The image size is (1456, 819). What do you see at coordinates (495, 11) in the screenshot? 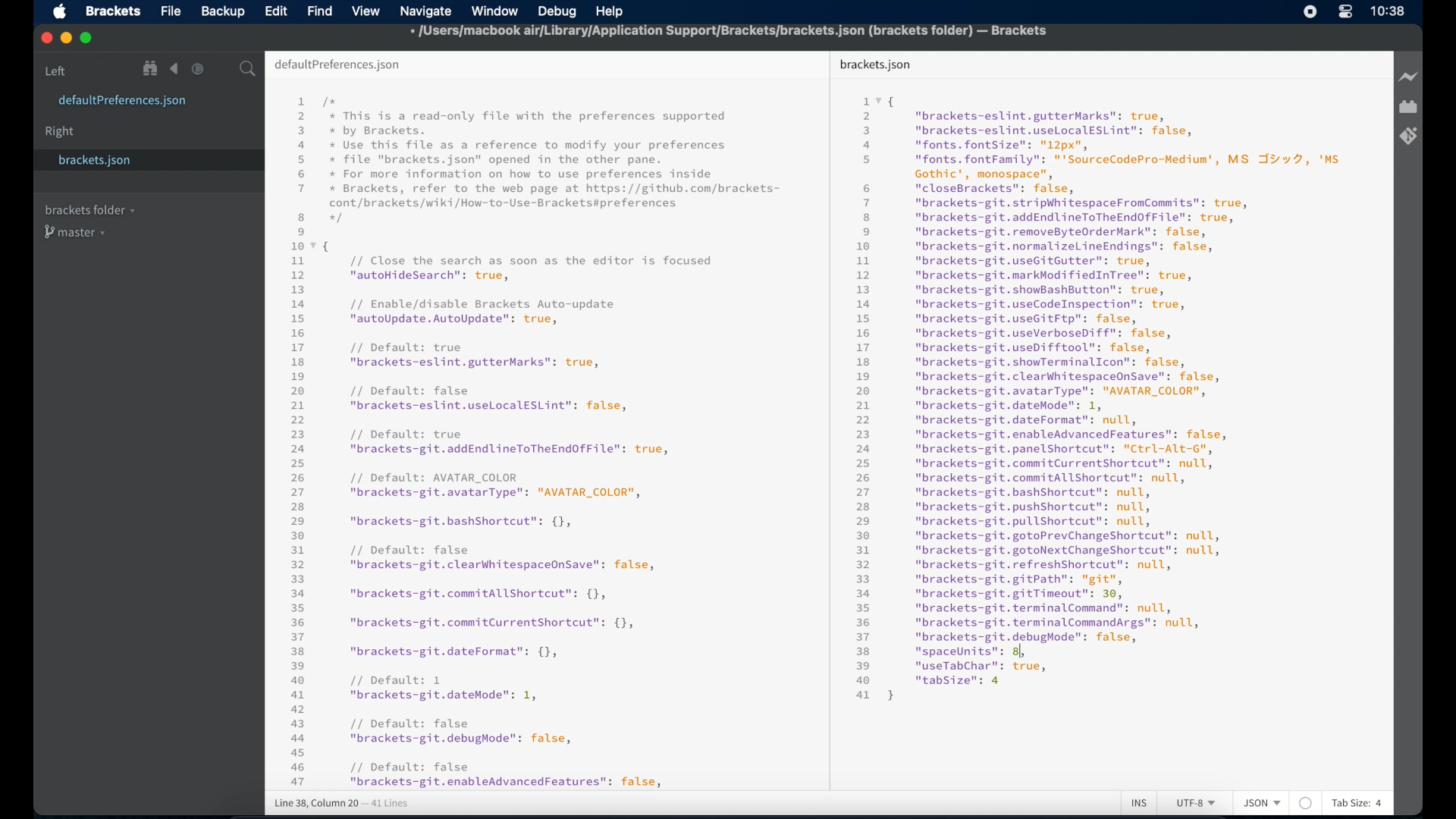
I see `window` at bounding box center [495, 11].